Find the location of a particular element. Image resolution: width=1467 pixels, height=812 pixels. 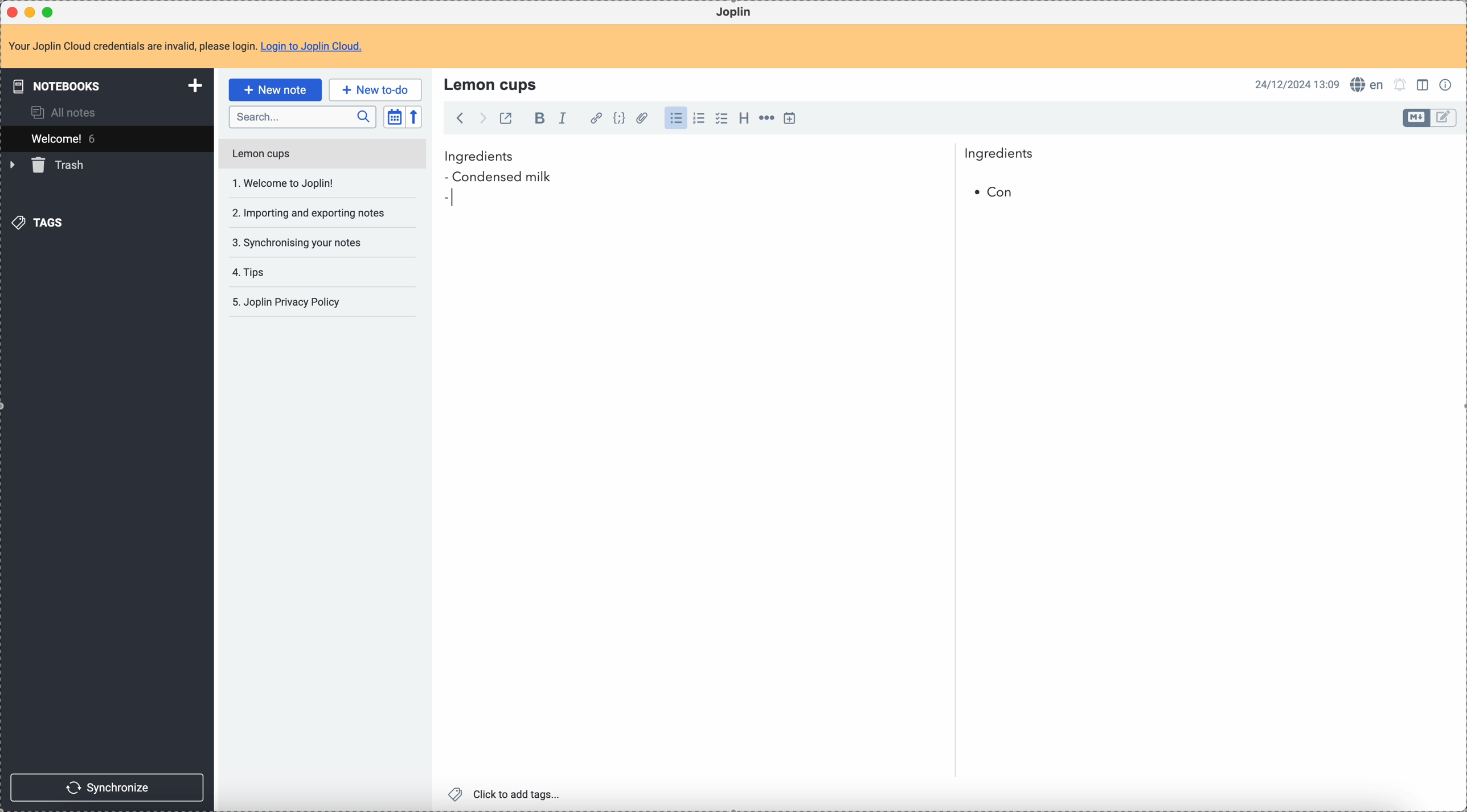

heading is located at coordinates (744, 117).